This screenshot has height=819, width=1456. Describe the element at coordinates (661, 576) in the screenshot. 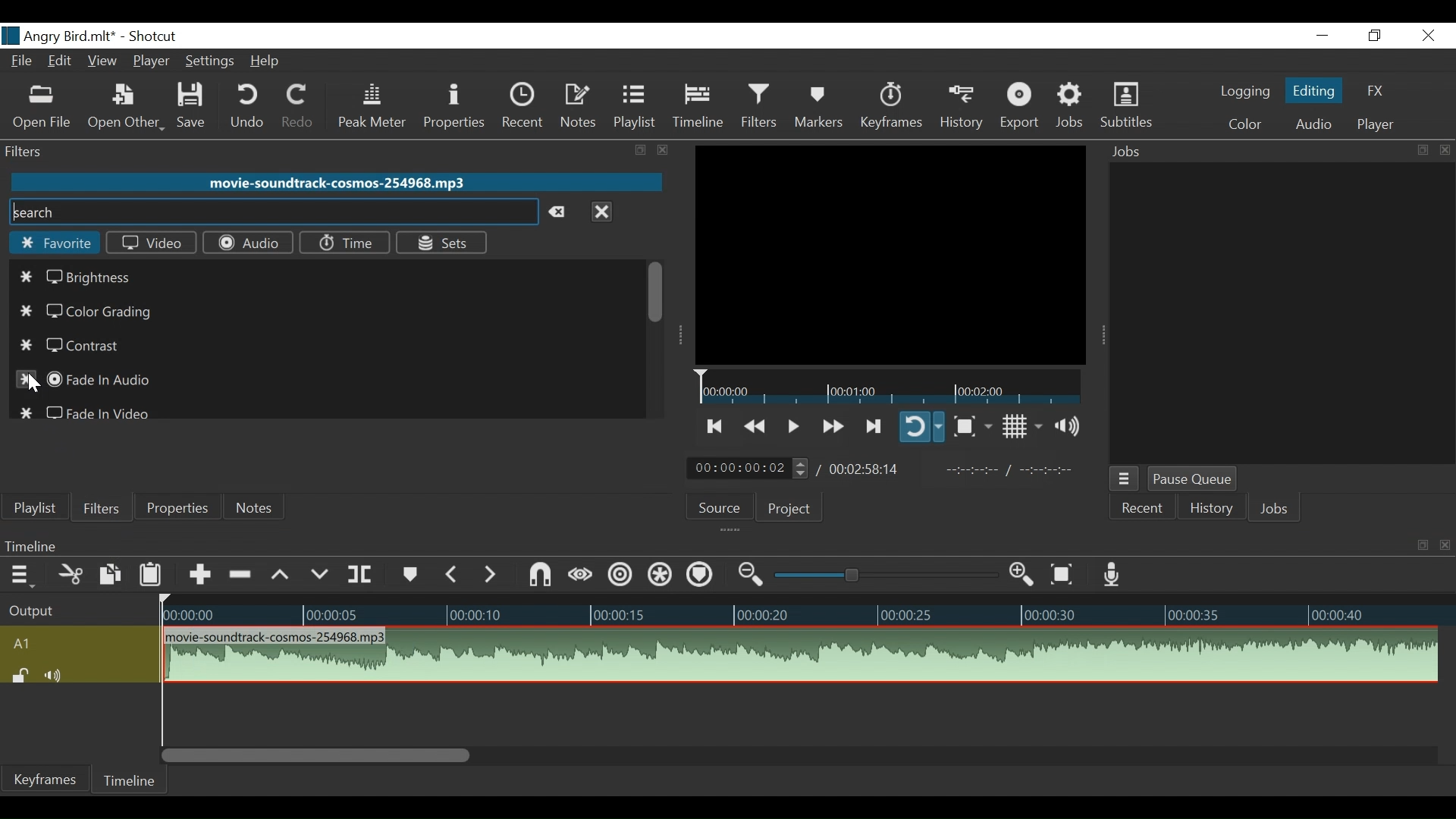

I see `Ripple all tracks` at that location.